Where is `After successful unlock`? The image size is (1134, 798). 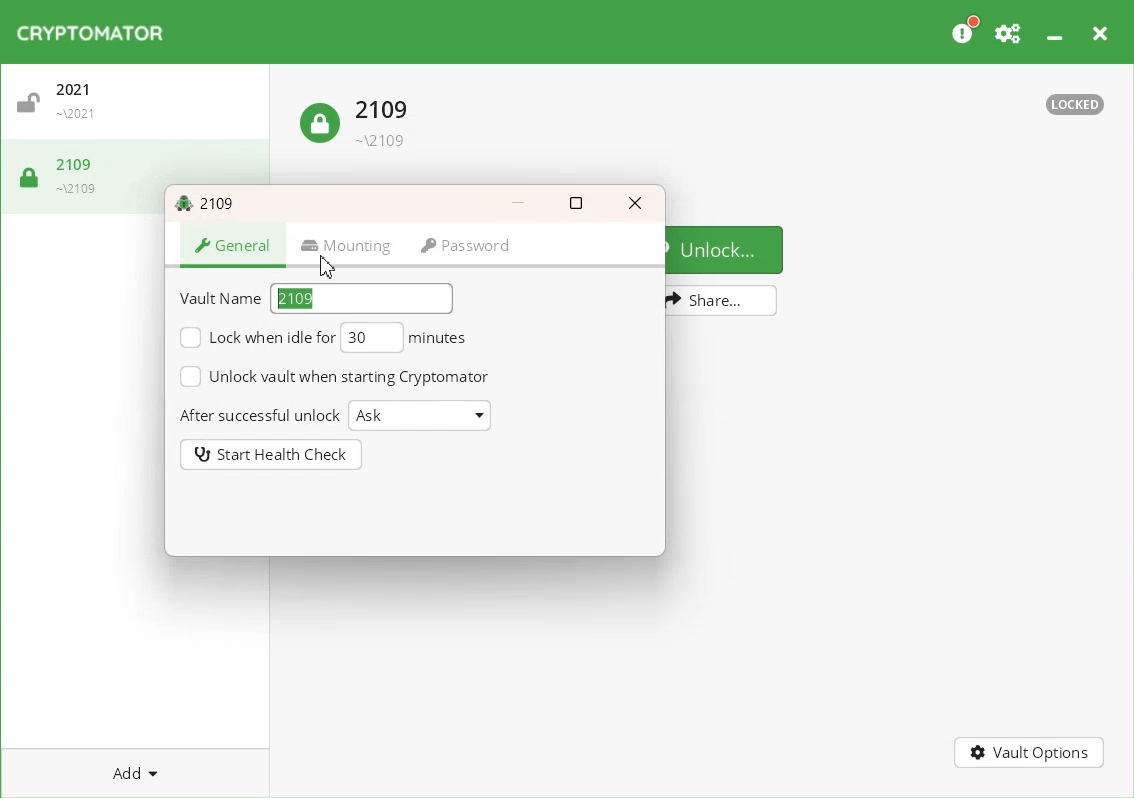
After successful unlock is located at coordinates (258, 416).